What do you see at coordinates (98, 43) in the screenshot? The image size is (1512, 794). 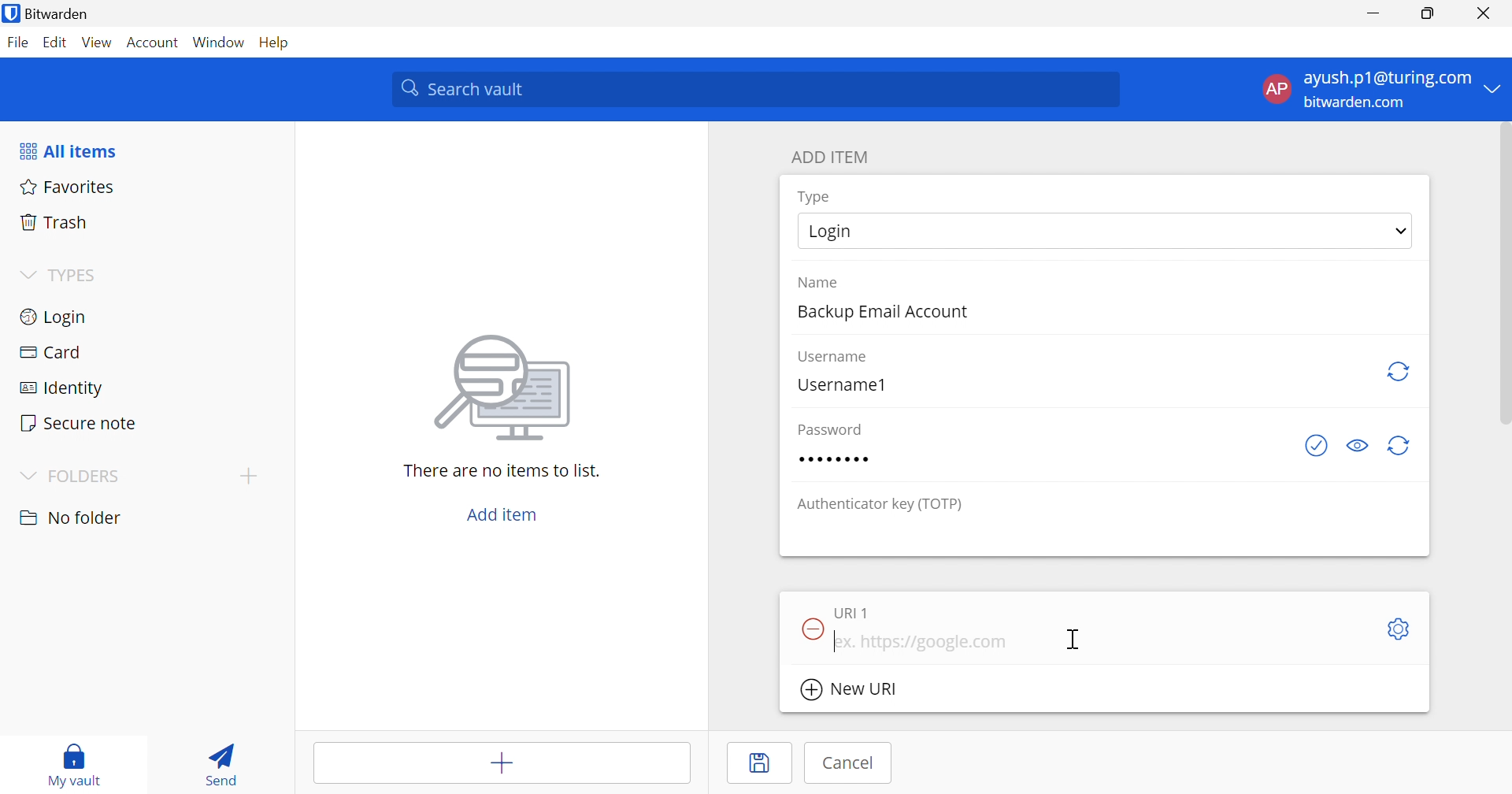 I see `View` at bounding box center [98, 43].